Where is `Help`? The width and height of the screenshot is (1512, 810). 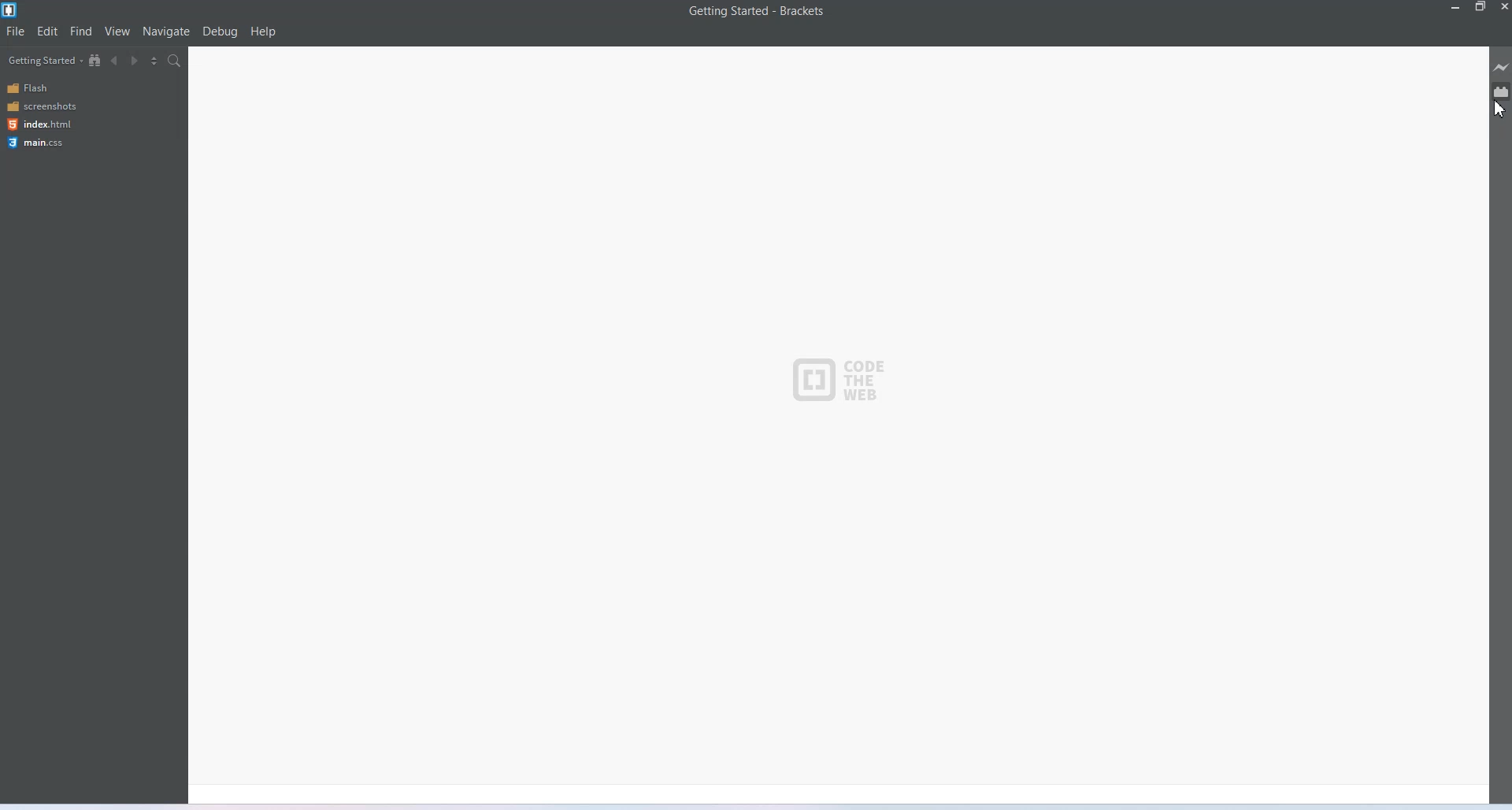
Help is located at coordinates (264, 32).